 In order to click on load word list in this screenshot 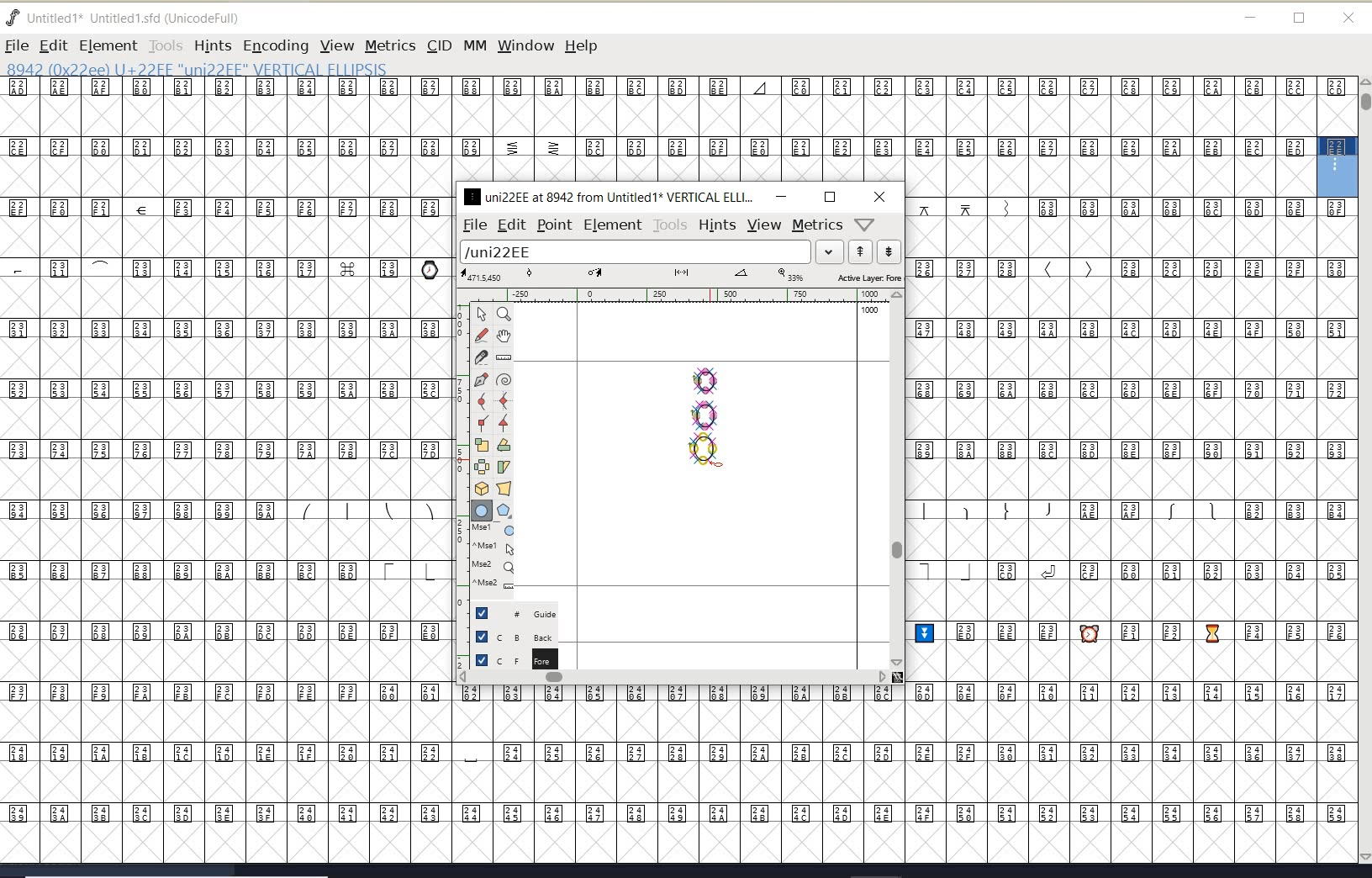, I will do `click(648, 253)`.